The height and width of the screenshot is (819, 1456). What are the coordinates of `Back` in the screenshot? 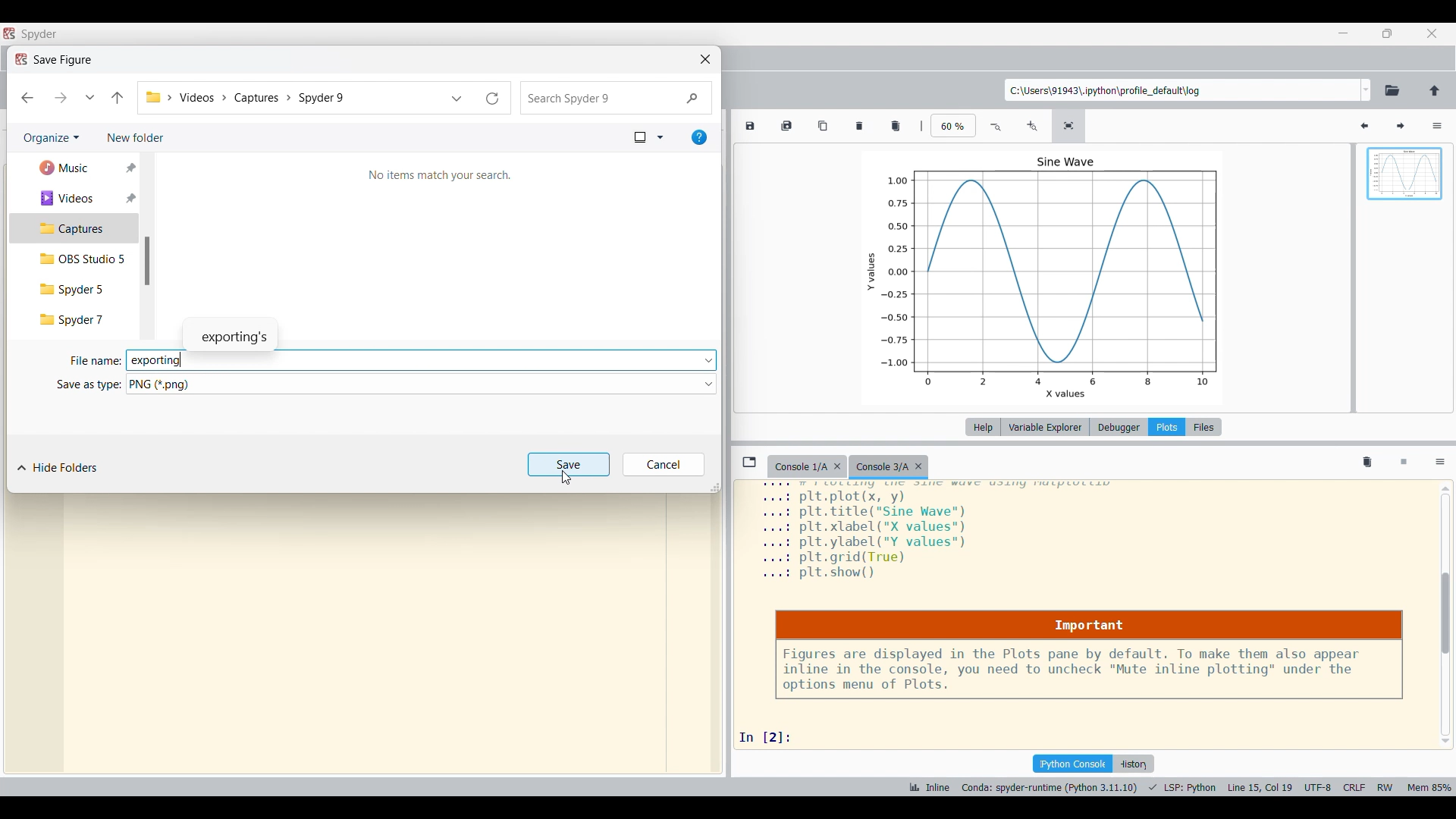 It's located at (27, 98).